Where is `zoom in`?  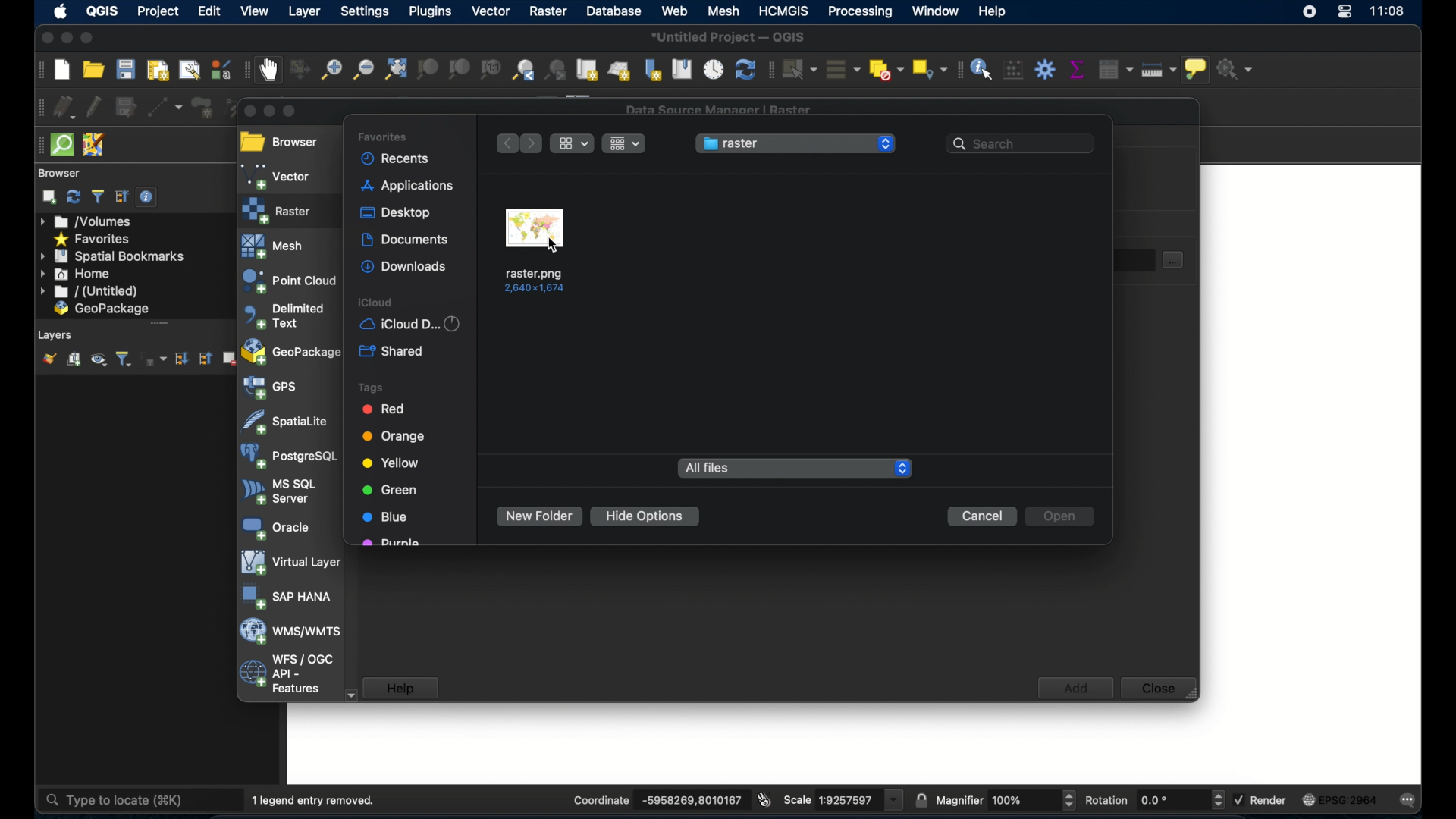
zoom in is located at coordinates (331, 69).